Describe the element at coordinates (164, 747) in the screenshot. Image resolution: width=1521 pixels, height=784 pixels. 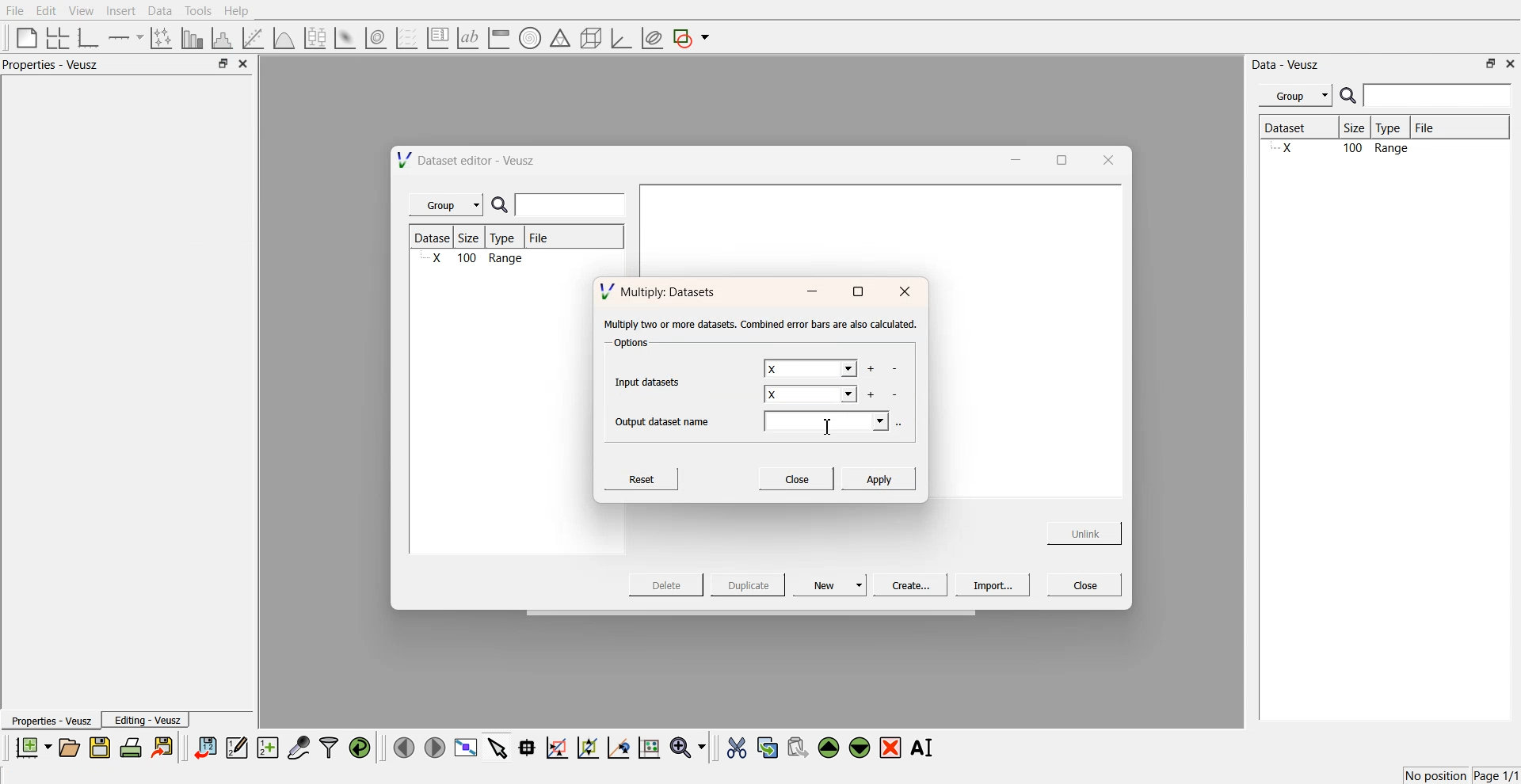
I see `export` at that location.